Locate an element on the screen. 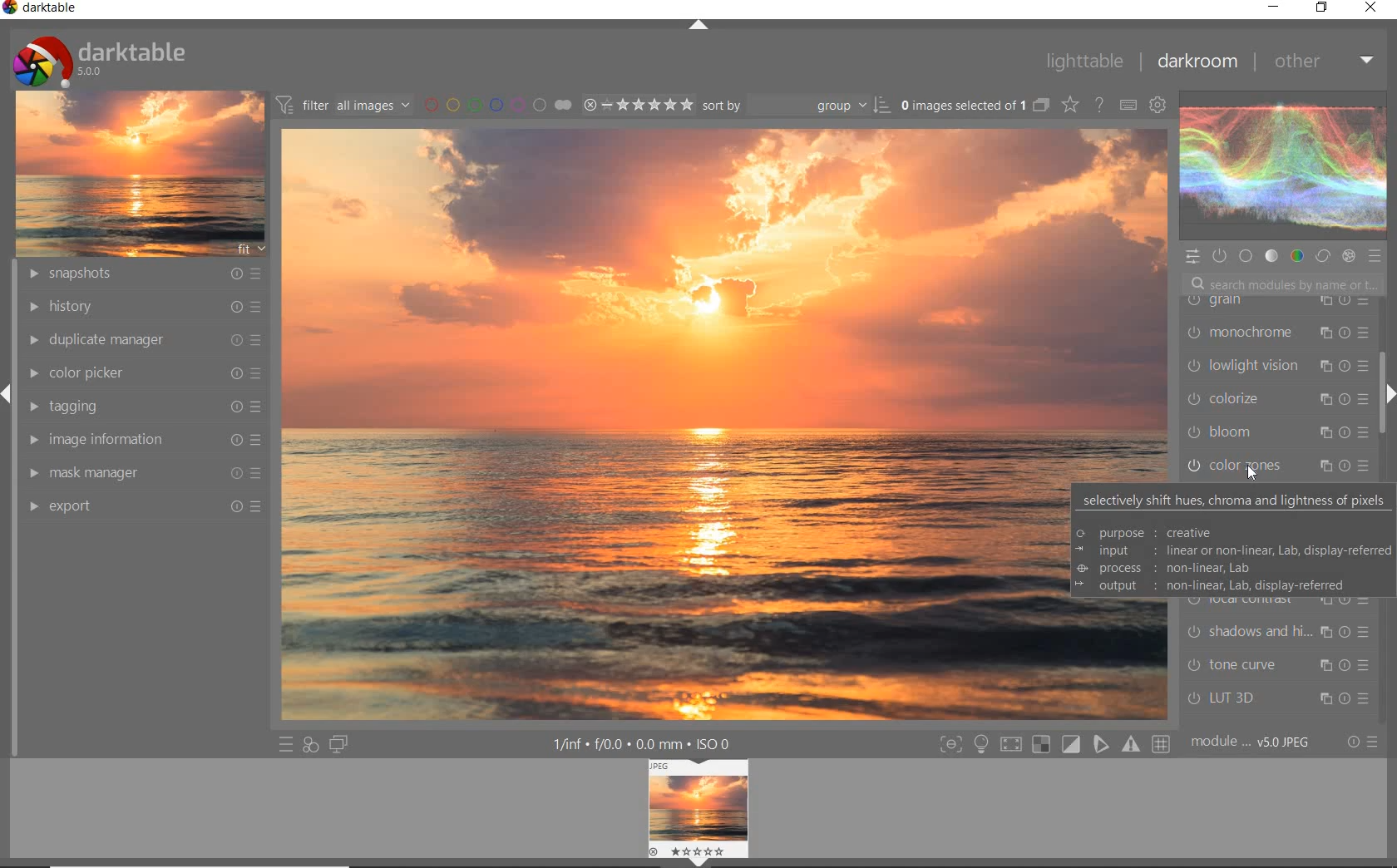 Image resolution: width=1397 pixels, height=868 pixels. PRESET is located at coordinates (1378, 260).